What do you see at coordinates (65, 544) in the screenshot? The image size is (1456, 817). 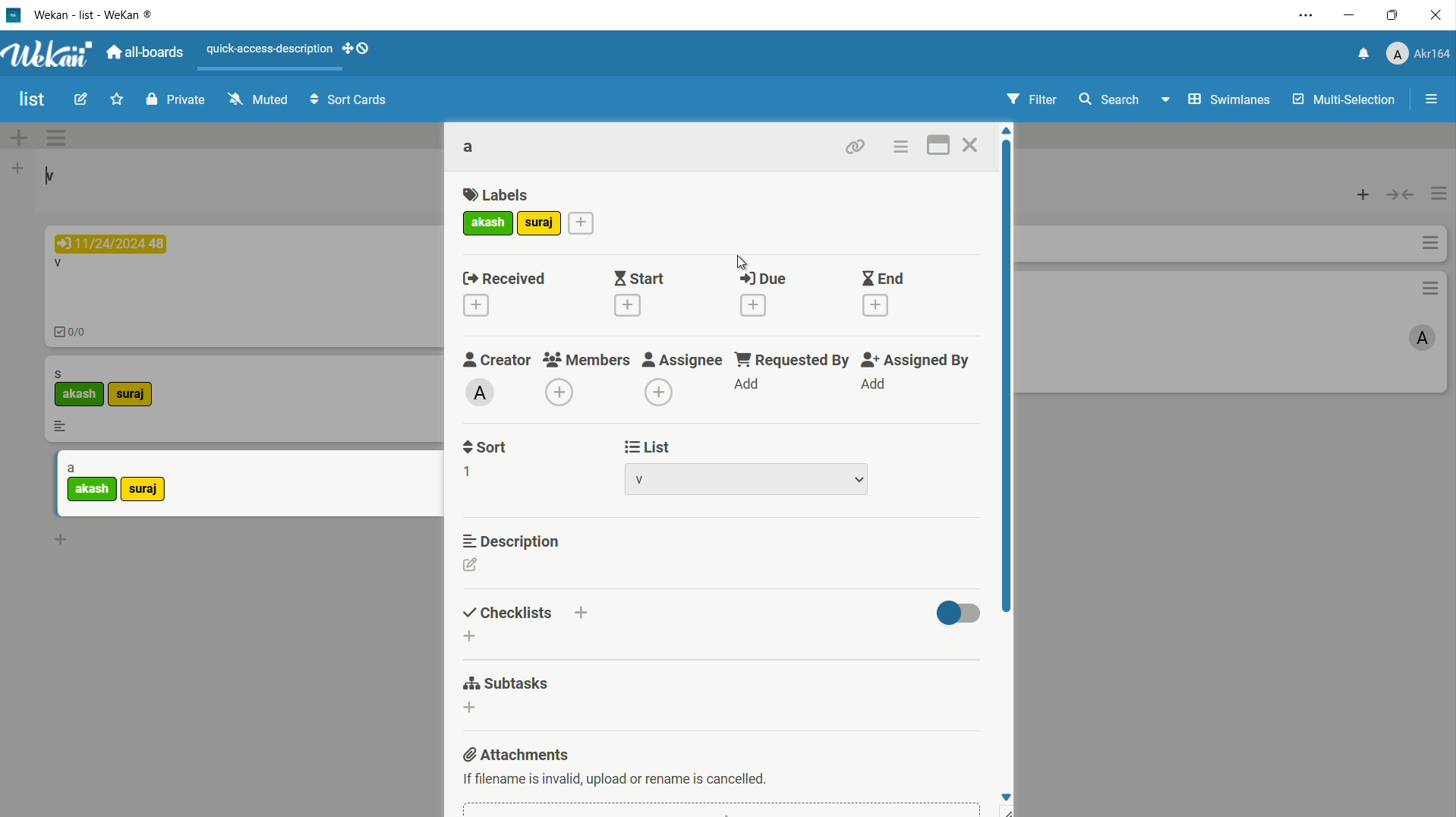 I see `add` at bounding box center [65, 544].